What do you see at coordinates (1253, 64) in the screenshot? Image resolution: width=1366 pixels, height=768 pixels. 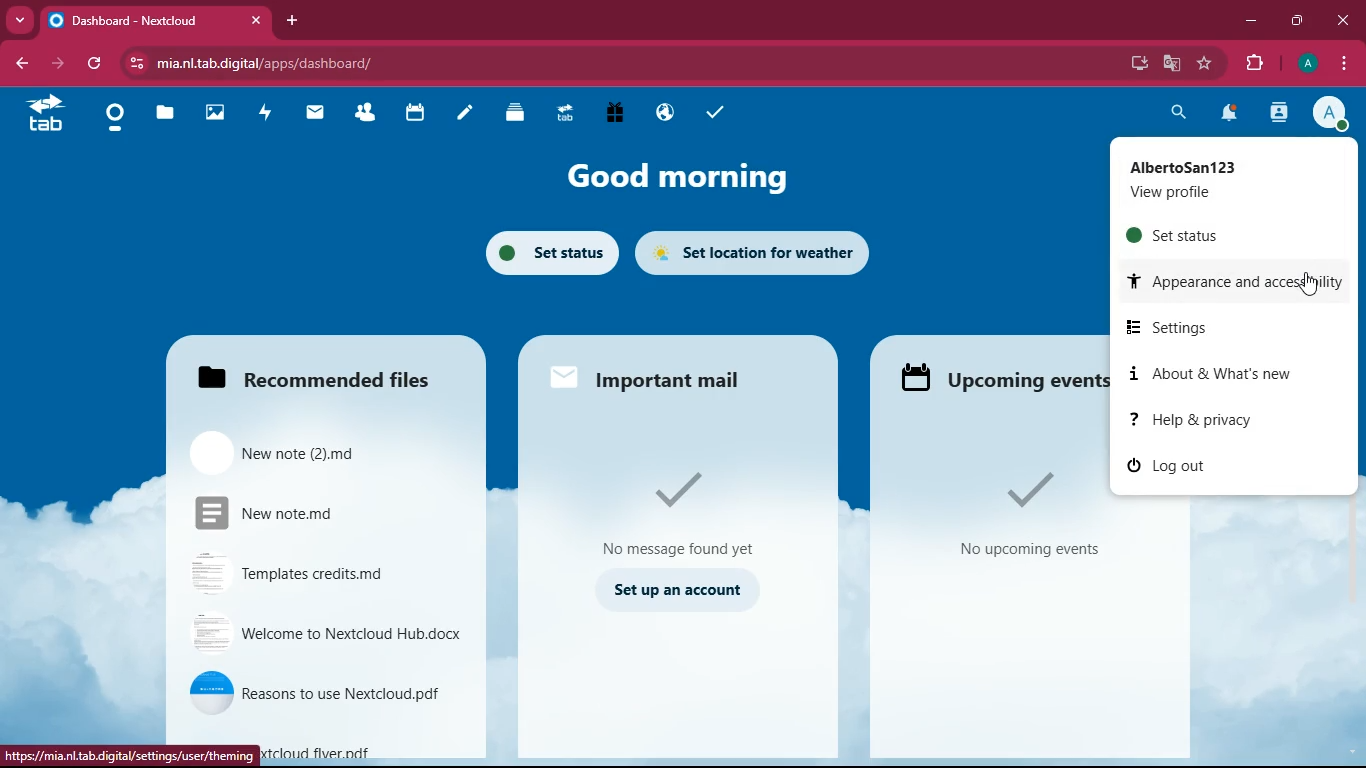 I see `extensions` at bounding box center [1253, 64].